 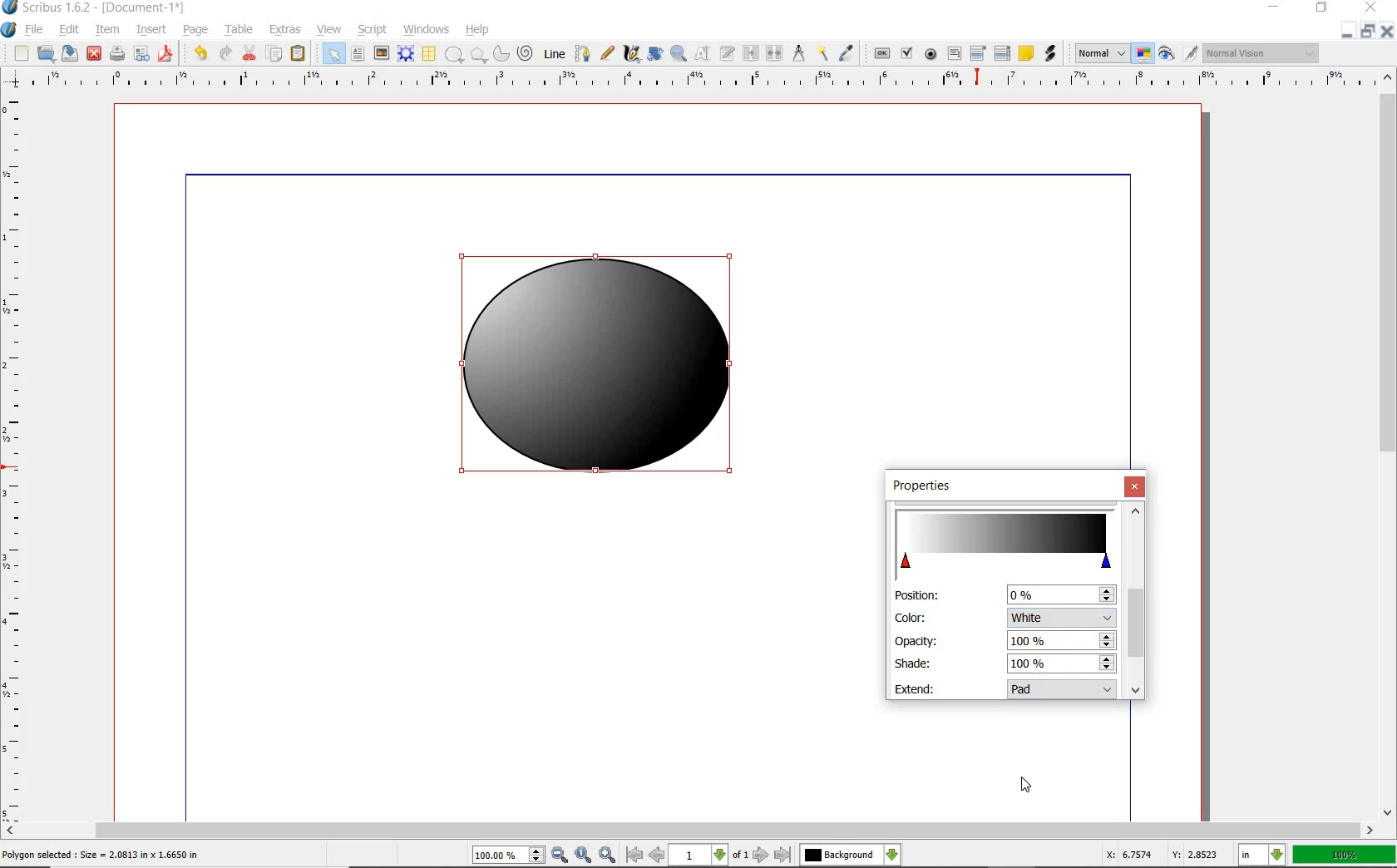 I want to click on PDF CHECK BOX, so click(x=906, y=52).